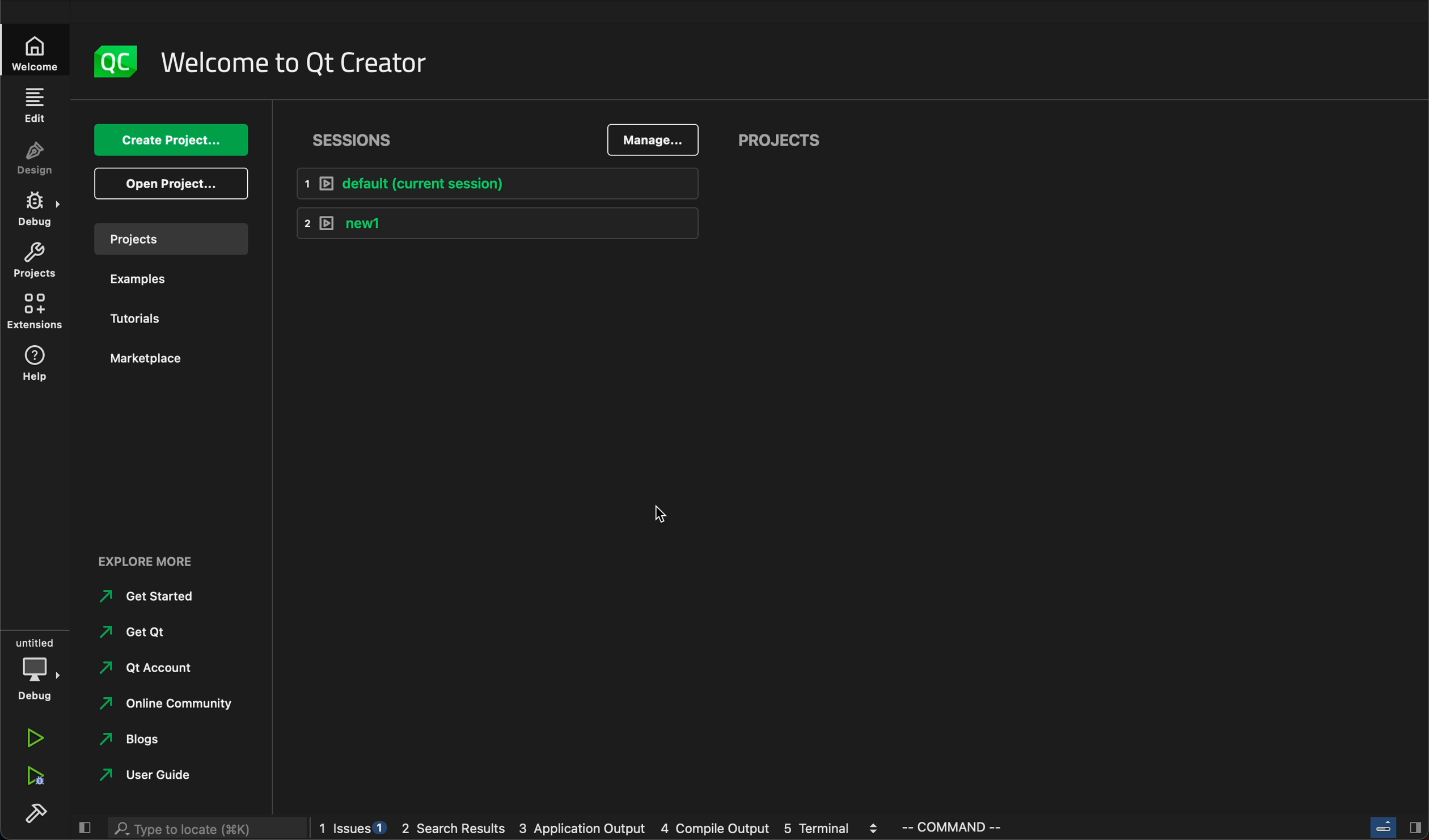  What do you see at coordinates (147, 600) in the screenshot?
I see `started` at bounding box center [147, 600].